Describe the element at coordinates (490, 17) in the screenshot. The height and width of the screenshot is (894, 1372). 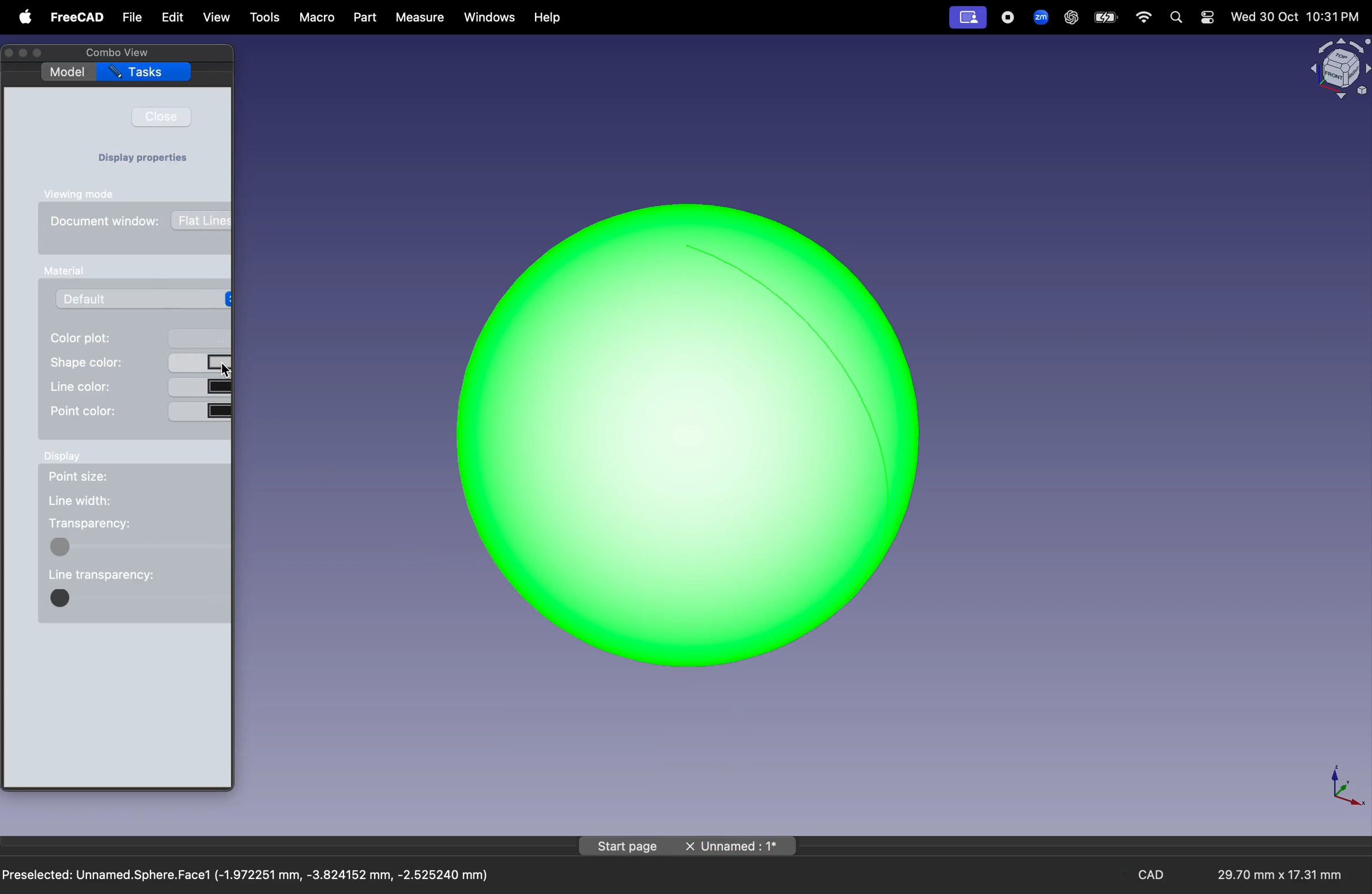
I see `windows` at that location.